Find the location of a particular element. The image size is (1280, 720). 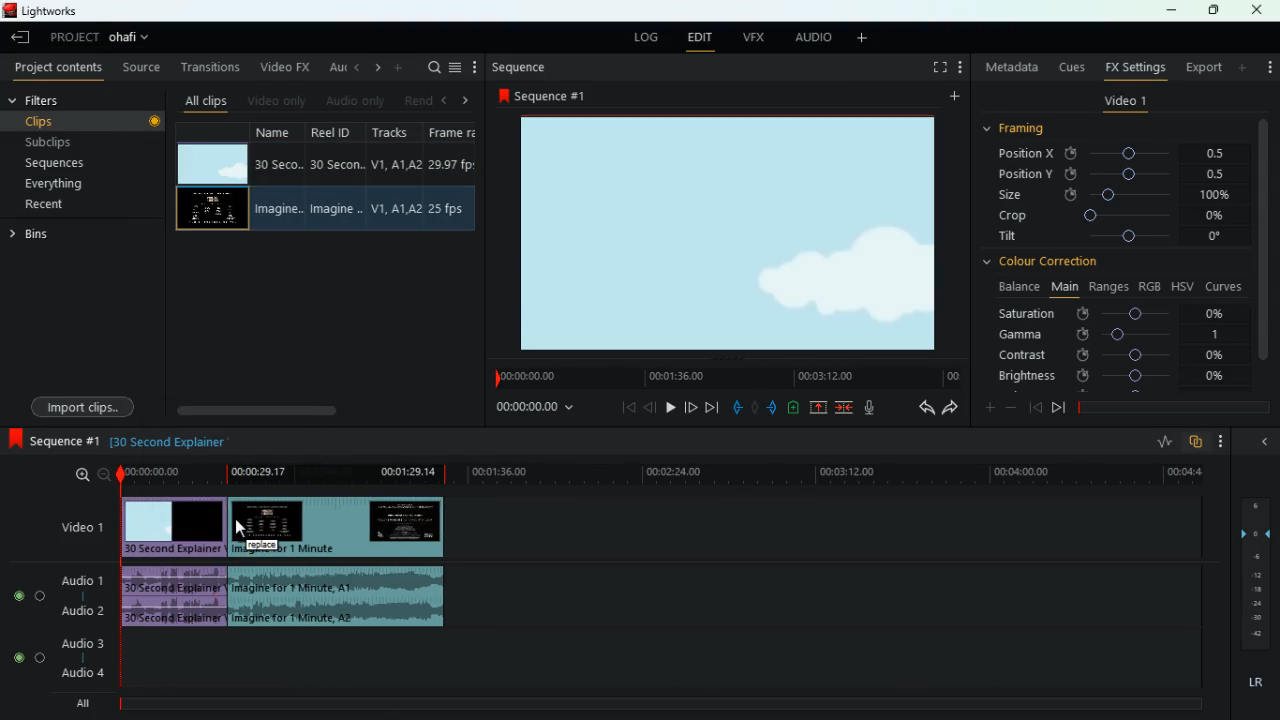

back is located at coordinates (1035, 407).